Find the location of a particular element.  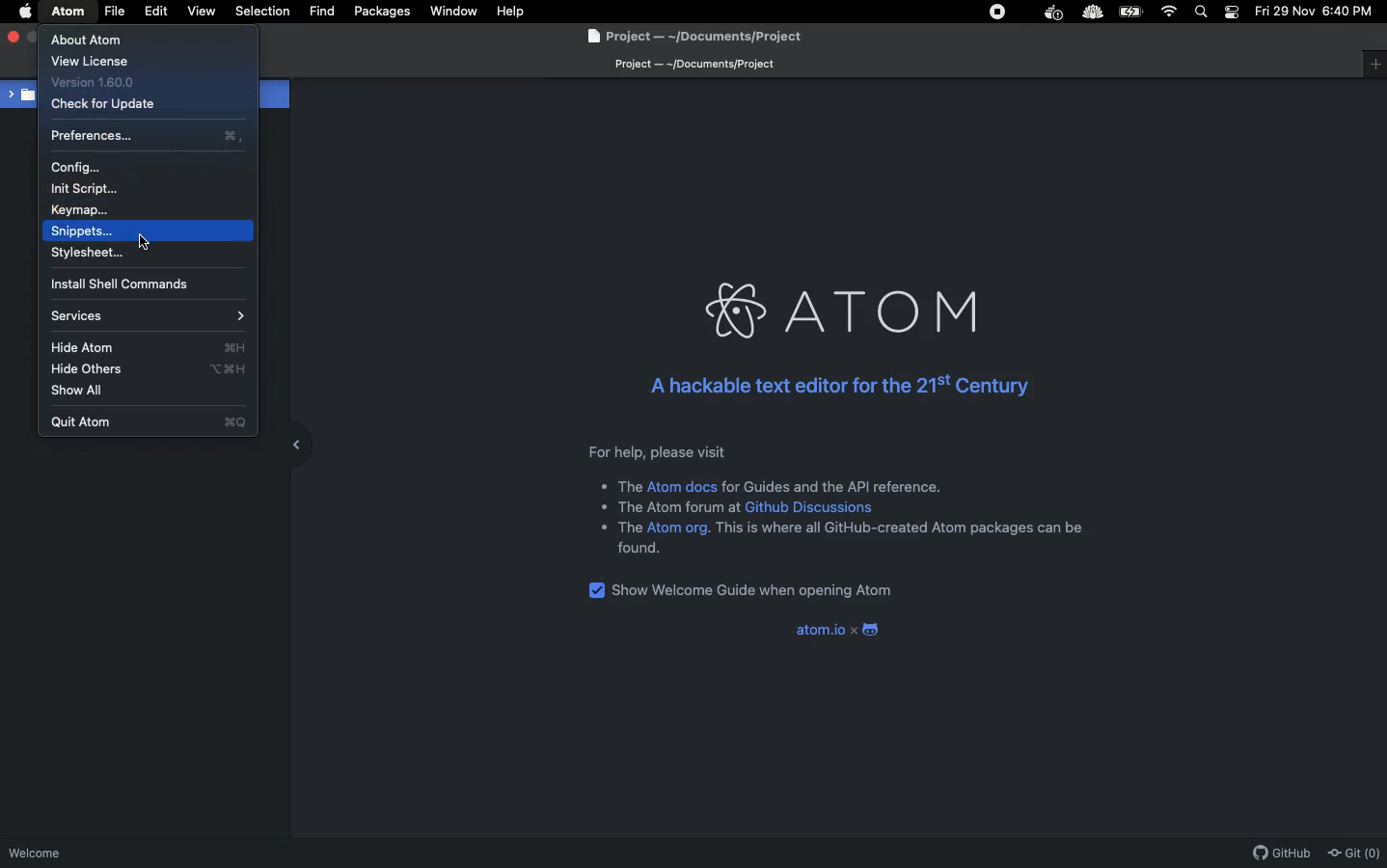

checkbox is located at coordinates (594, 589).